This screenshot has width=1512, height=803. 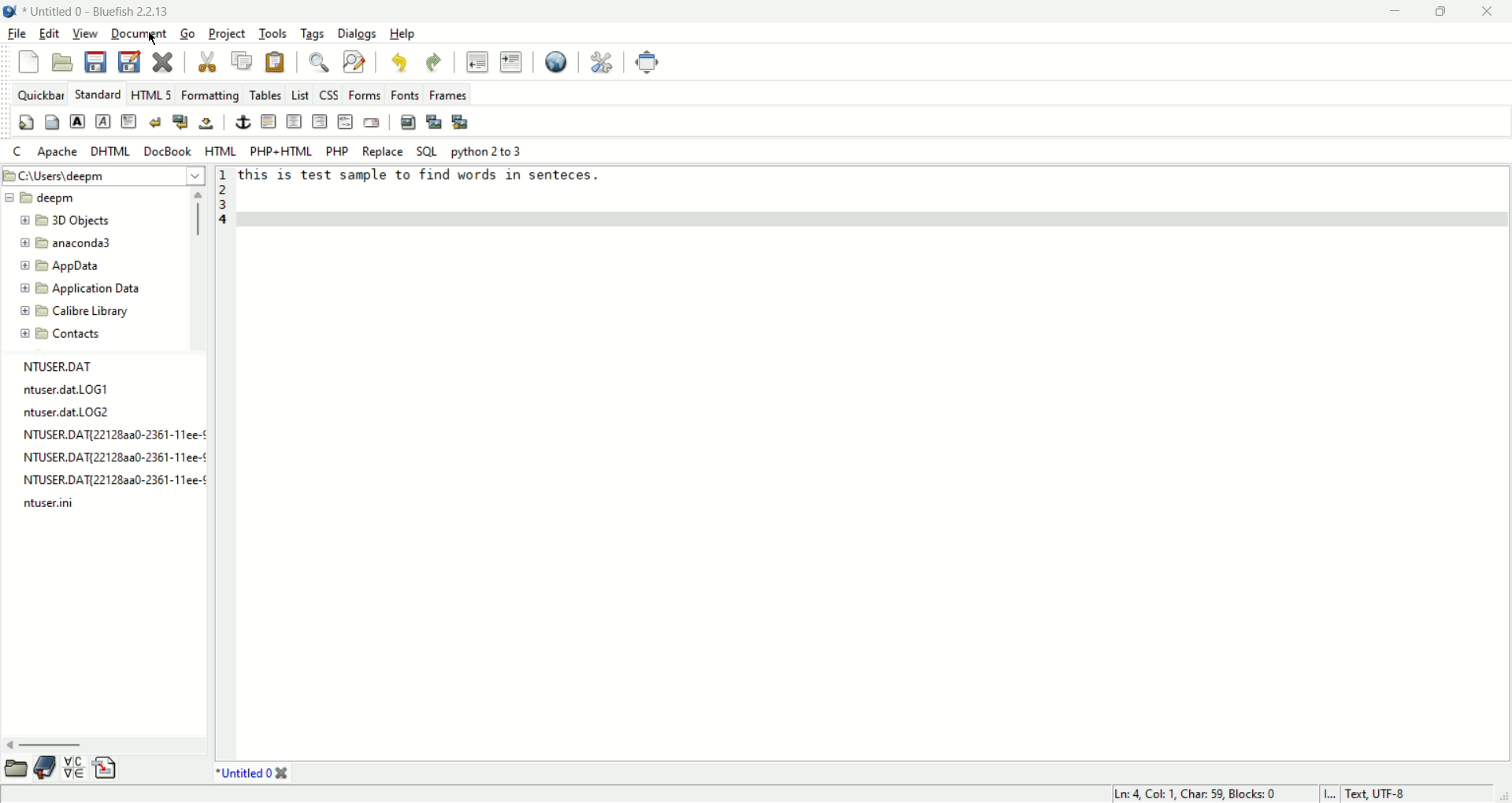 I want to click on insert image, so click(x=409, y=122).